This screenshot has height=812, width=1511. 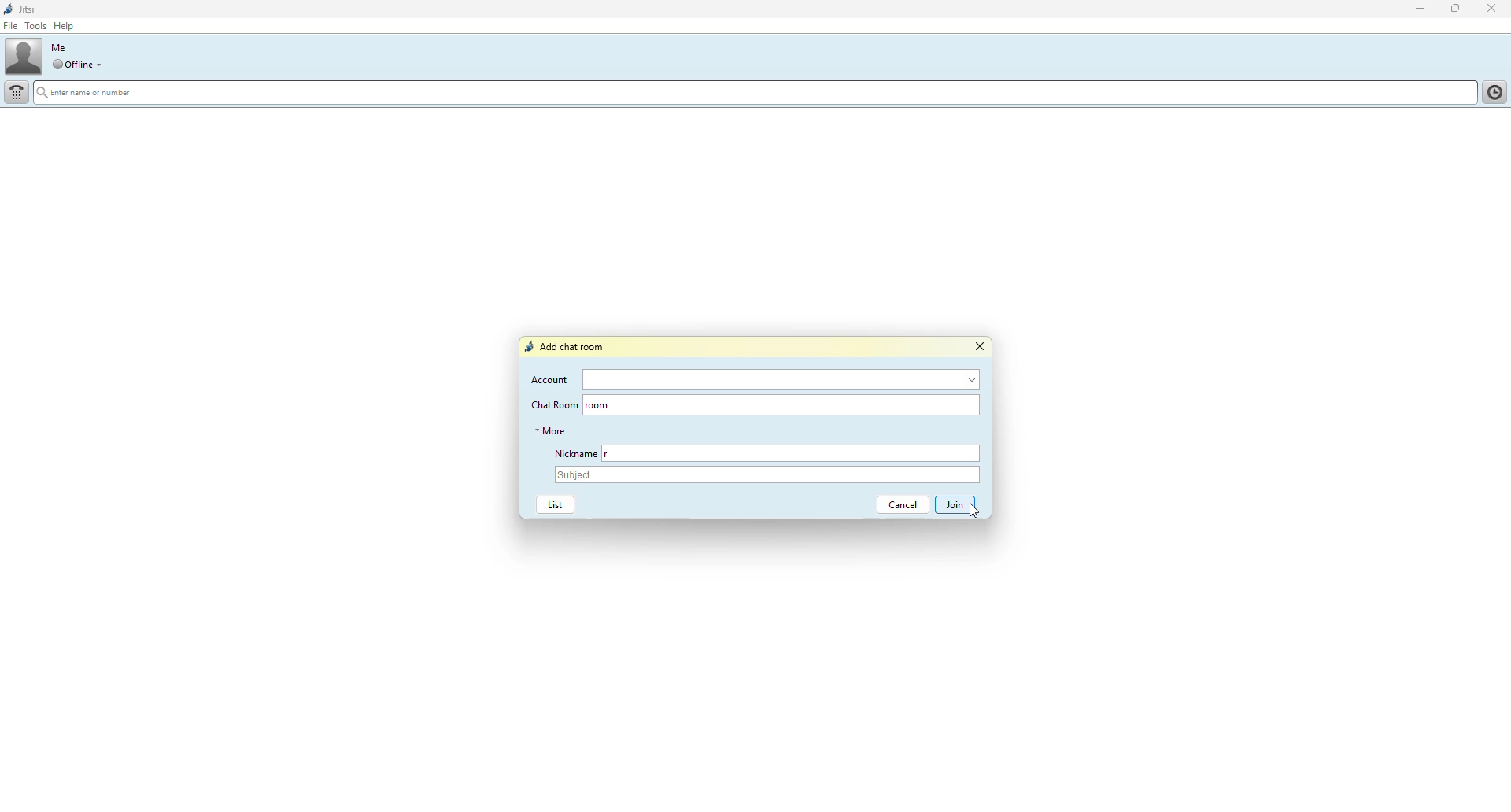 What do you see at coordinates (897, 505) in the screenshot?
I see `cancel` at bounding box center [897, 505].